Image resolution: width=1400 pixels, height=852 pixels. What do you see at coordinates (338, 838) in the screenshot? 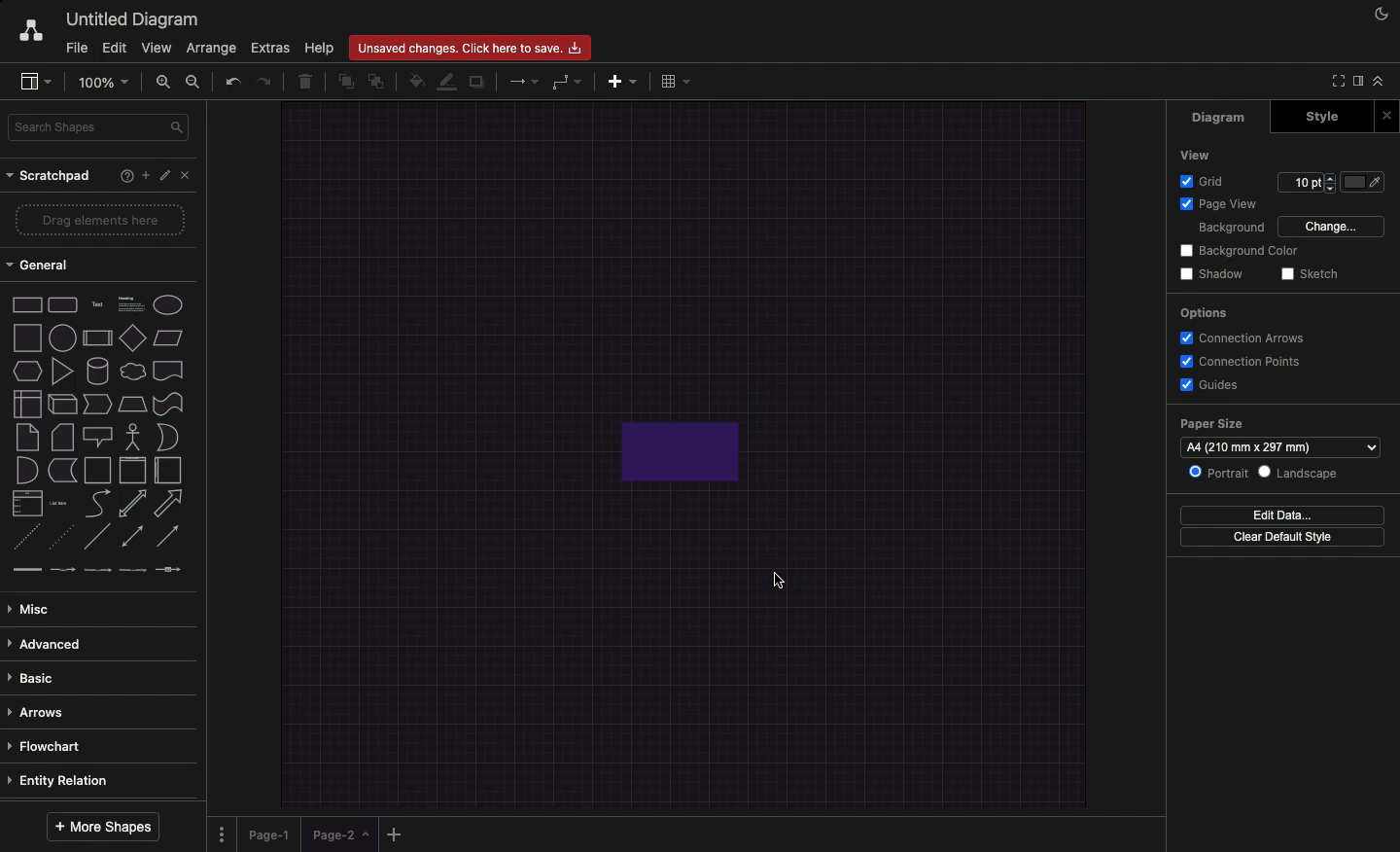
I see `Page 2` at bounding box center [338, 838].